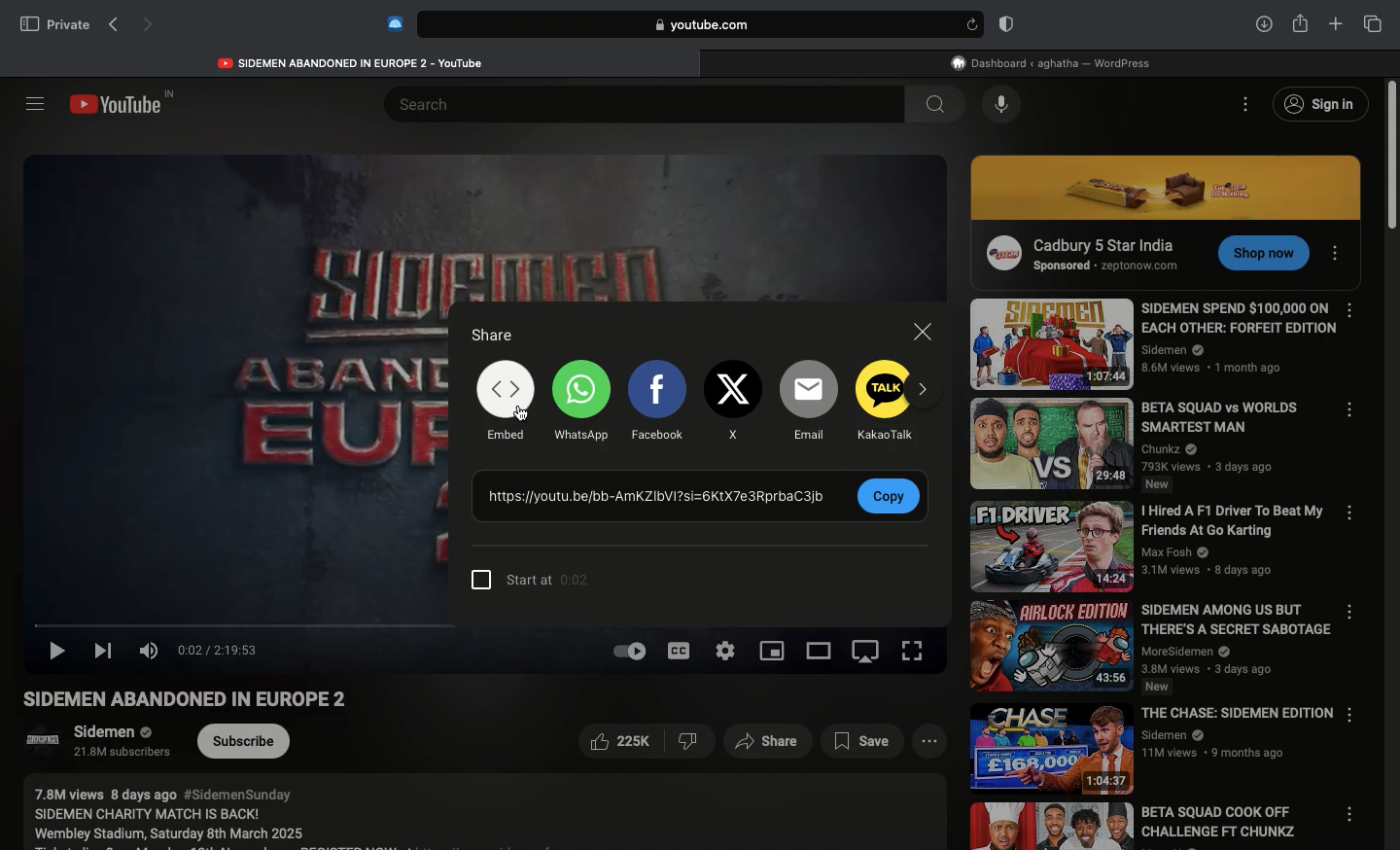 The width and height of the screenshot is (1400, 850). Describe the element at coordinates (353, 60) in the screenshot. I see `Youtube` at that location.